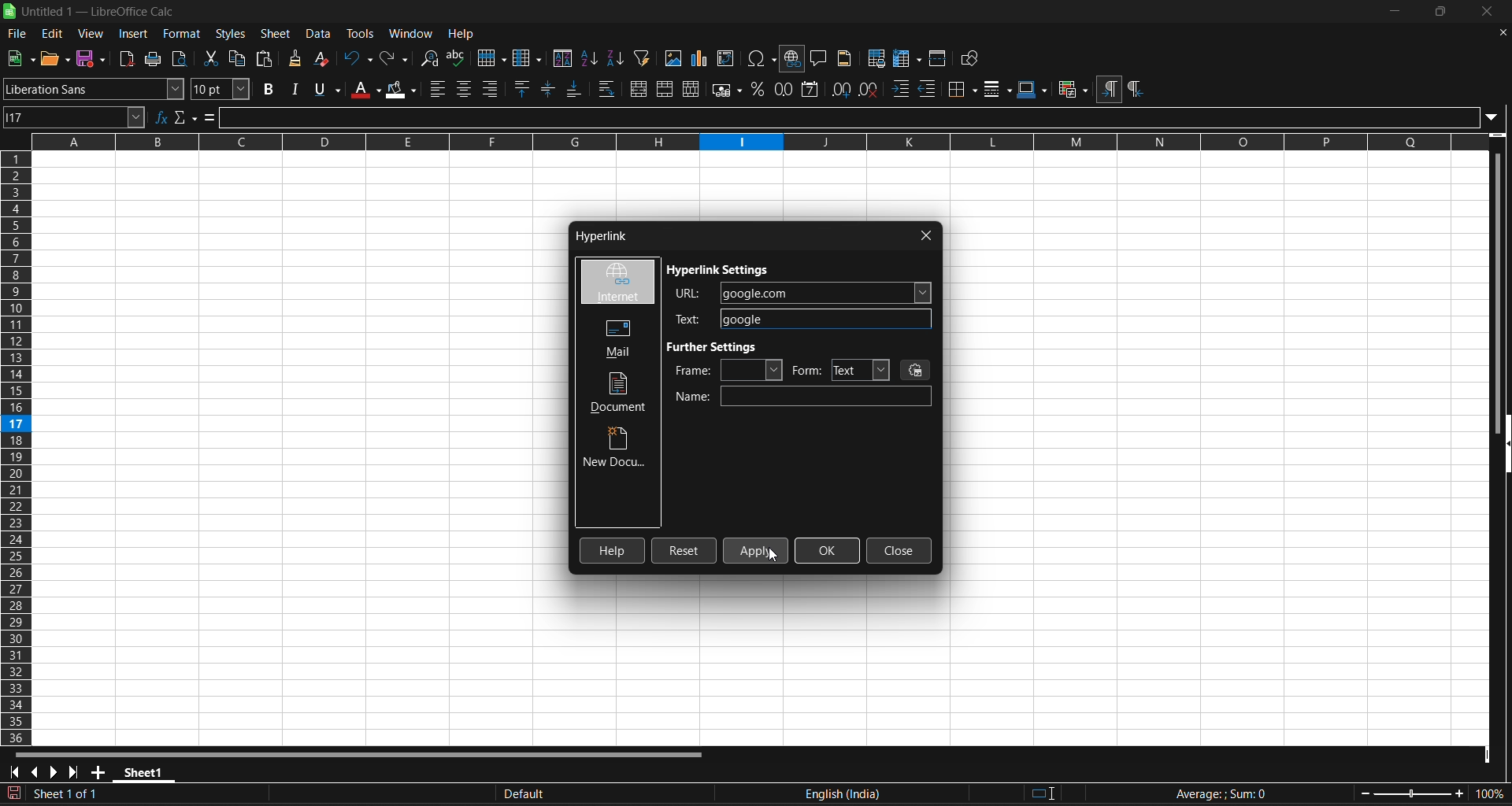  Describe the element at coordinates (491, 56) in the screenshot. I see `row` at that location.